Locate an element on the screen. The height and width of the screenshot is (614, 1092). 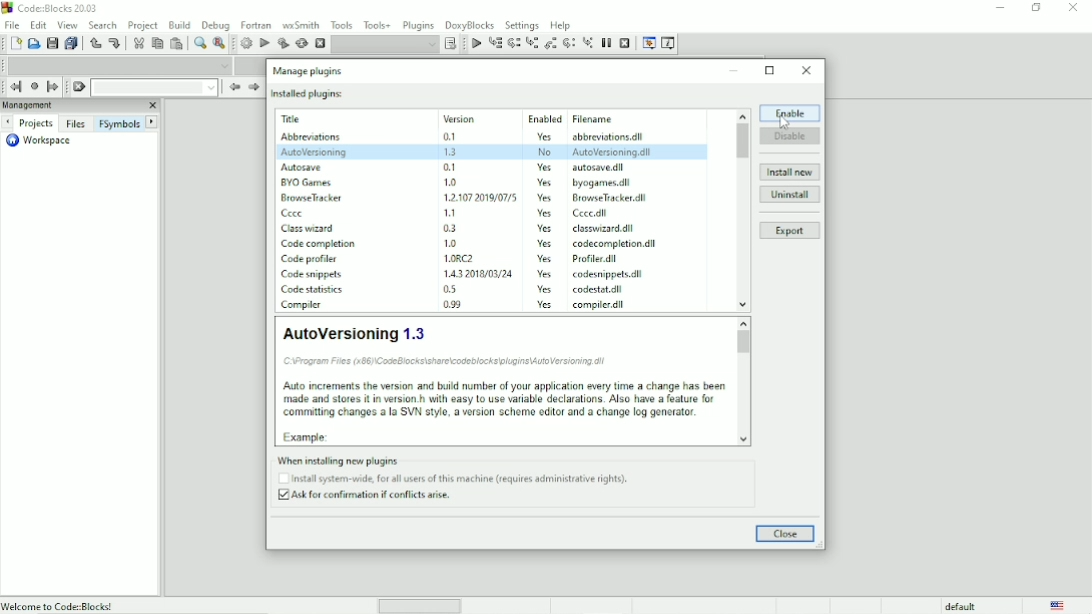
version  is located at coordinates (452, 167).